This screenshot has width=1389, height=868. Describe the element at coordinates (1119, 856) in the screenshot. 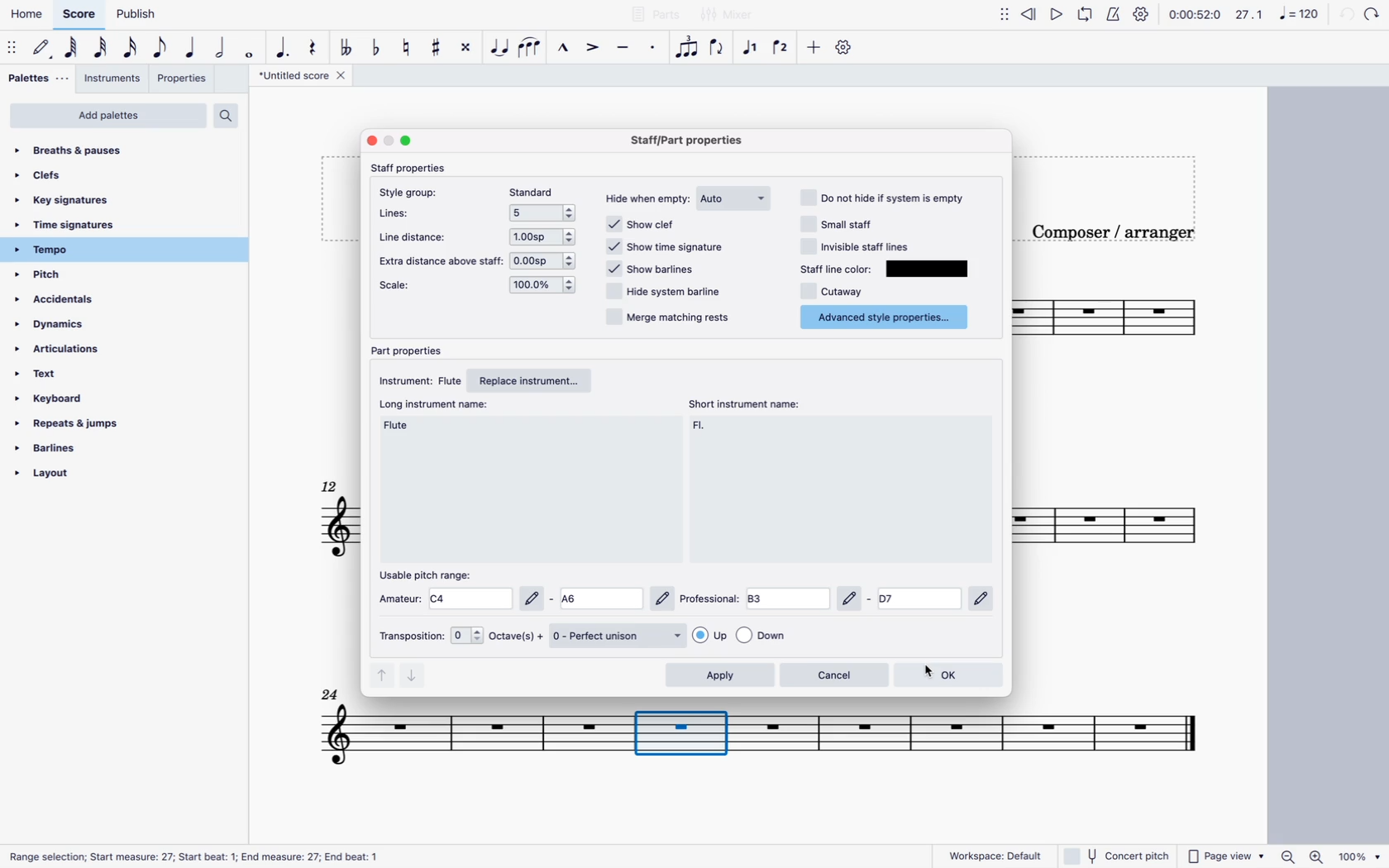

I see `concert pitch` at that location.